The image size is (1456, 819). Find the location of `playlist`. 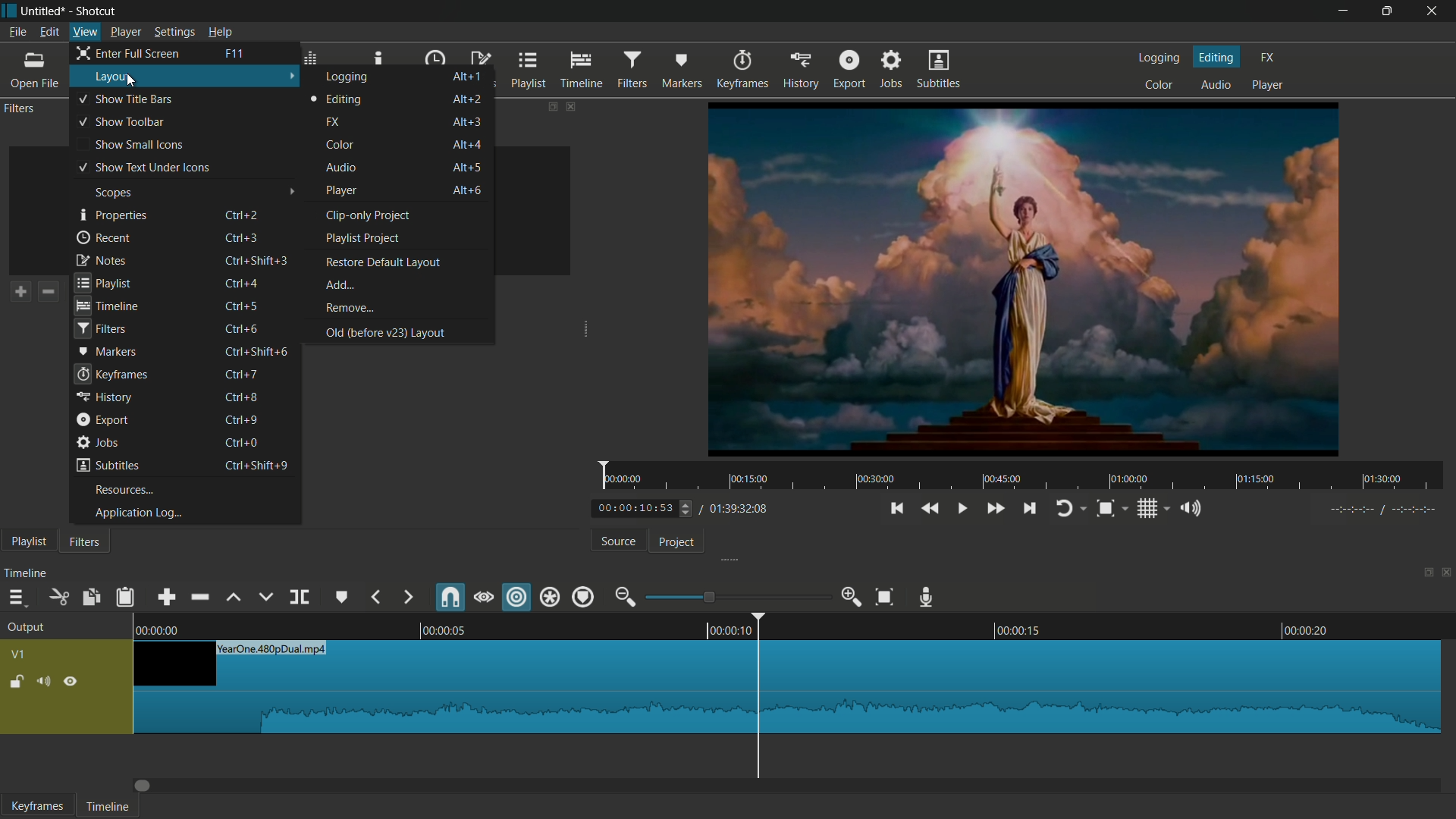

playlist is located at coordinates (103, 281).